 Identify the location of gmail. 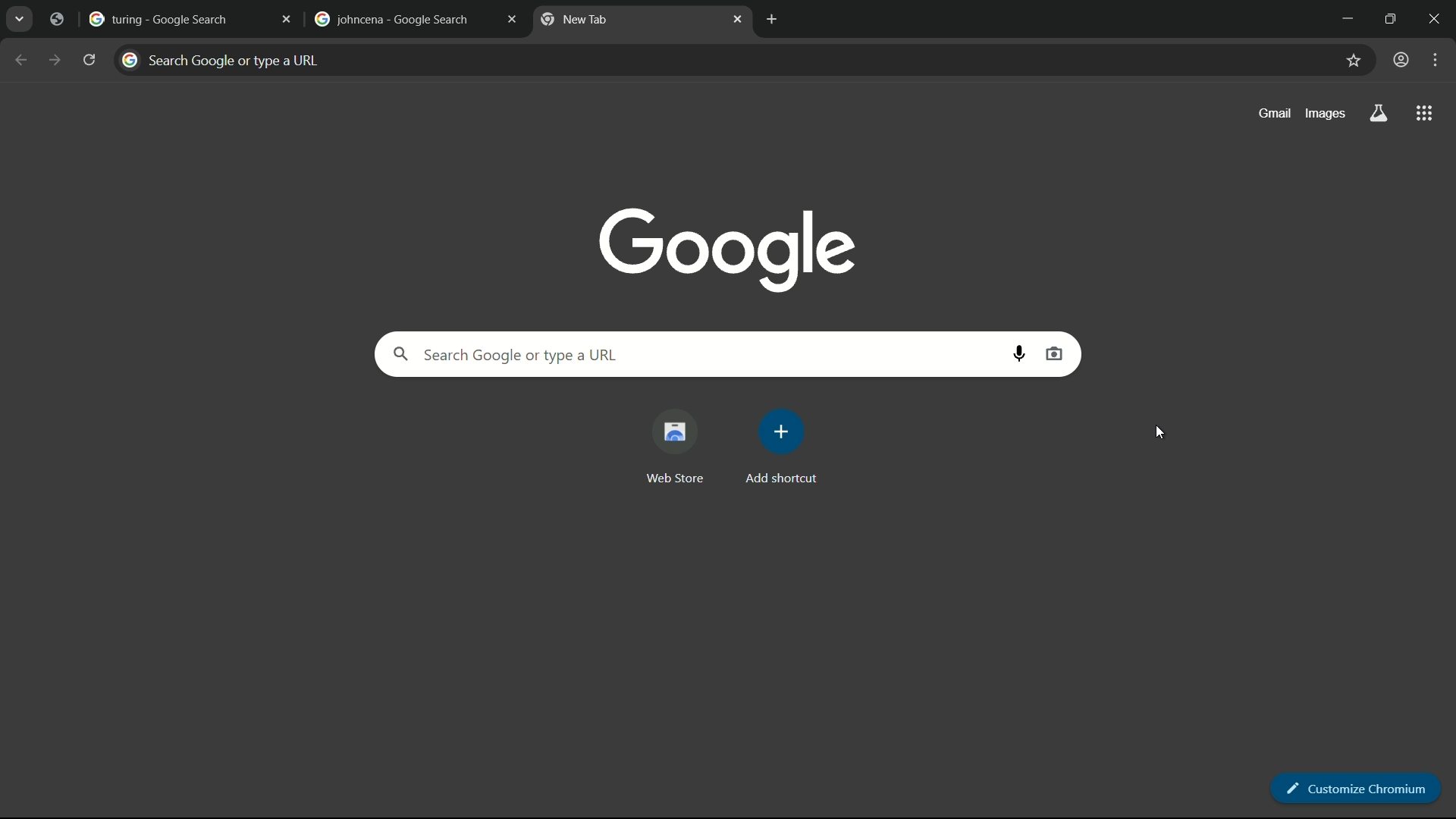
(1272, 115).